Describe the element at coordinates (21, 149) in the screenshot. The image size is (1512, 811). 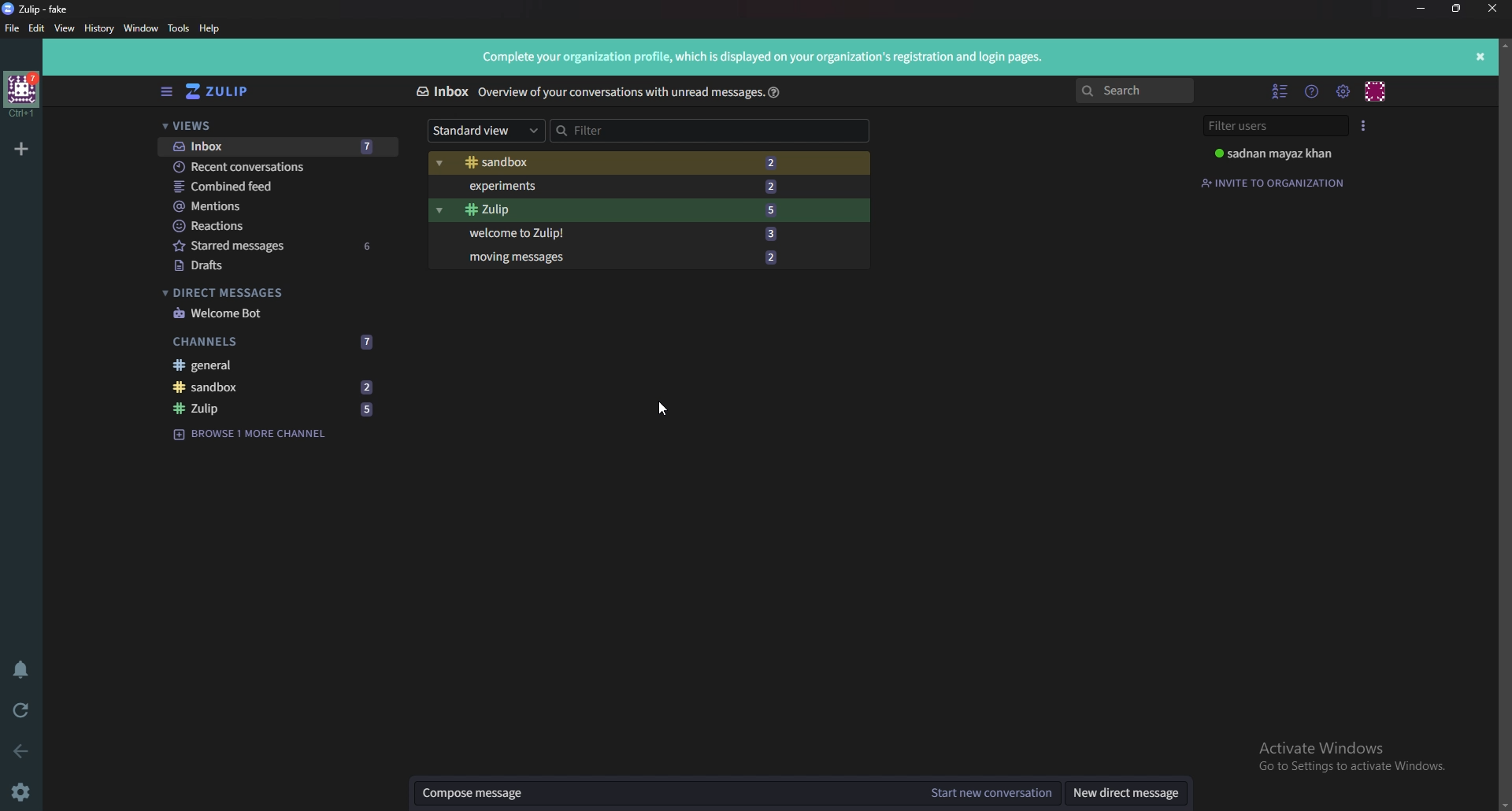
I see `Add organization` at that location.